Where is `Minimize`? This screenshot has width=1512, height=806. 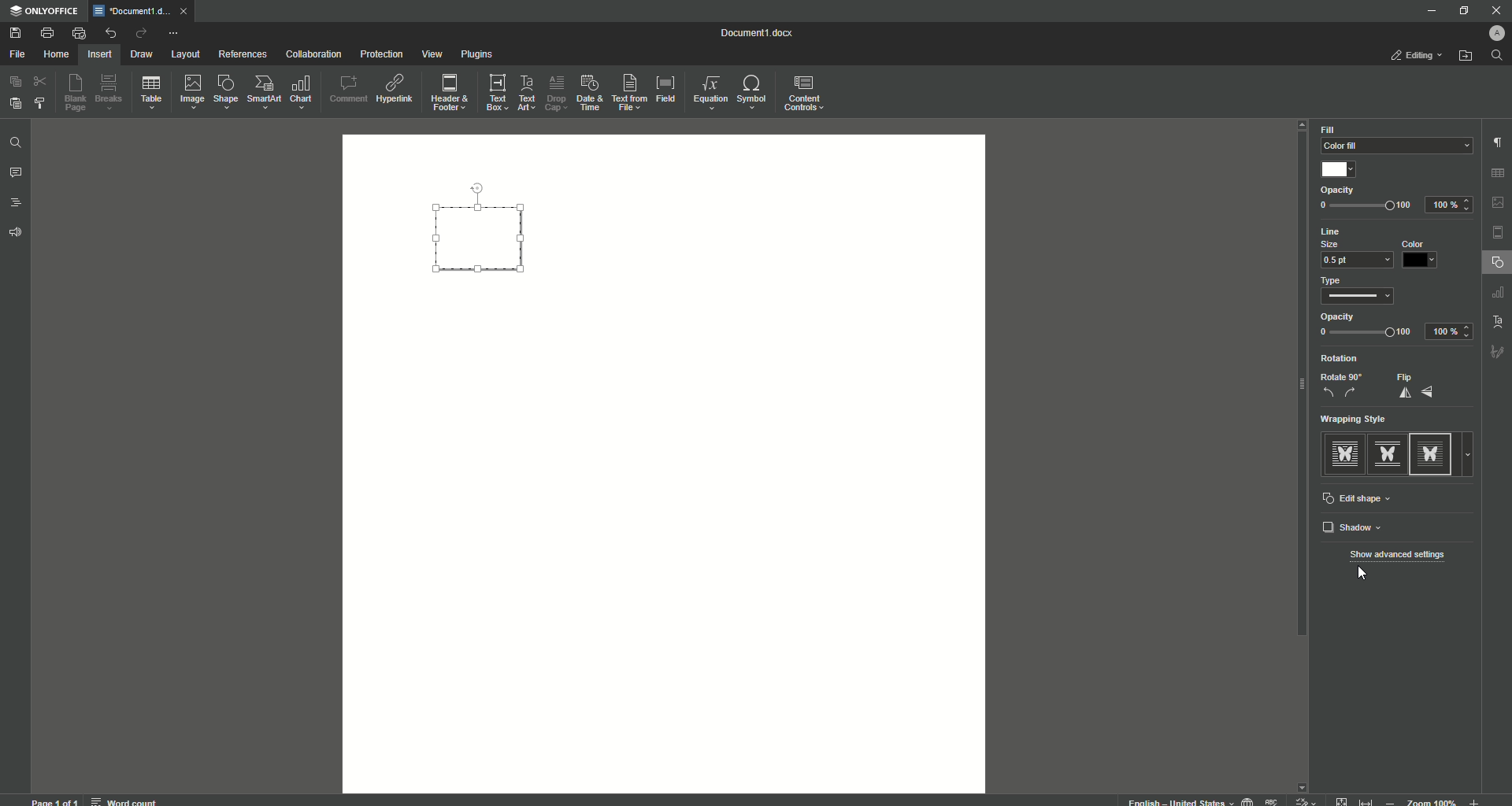
Minimize is located at coordinates (1427, 10).